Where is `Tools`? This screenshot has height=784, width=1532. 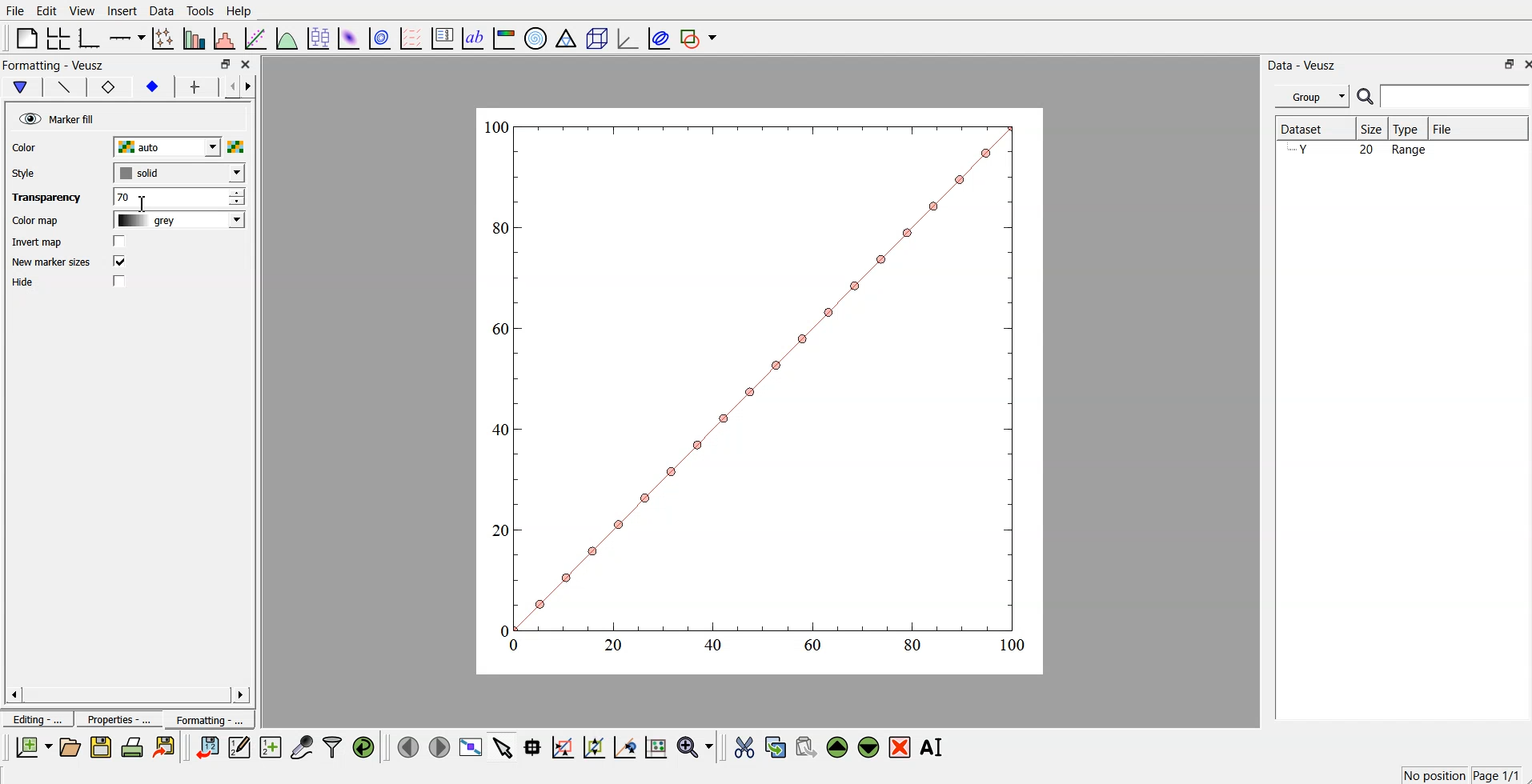 Tools is located at coordinates (200, 11).